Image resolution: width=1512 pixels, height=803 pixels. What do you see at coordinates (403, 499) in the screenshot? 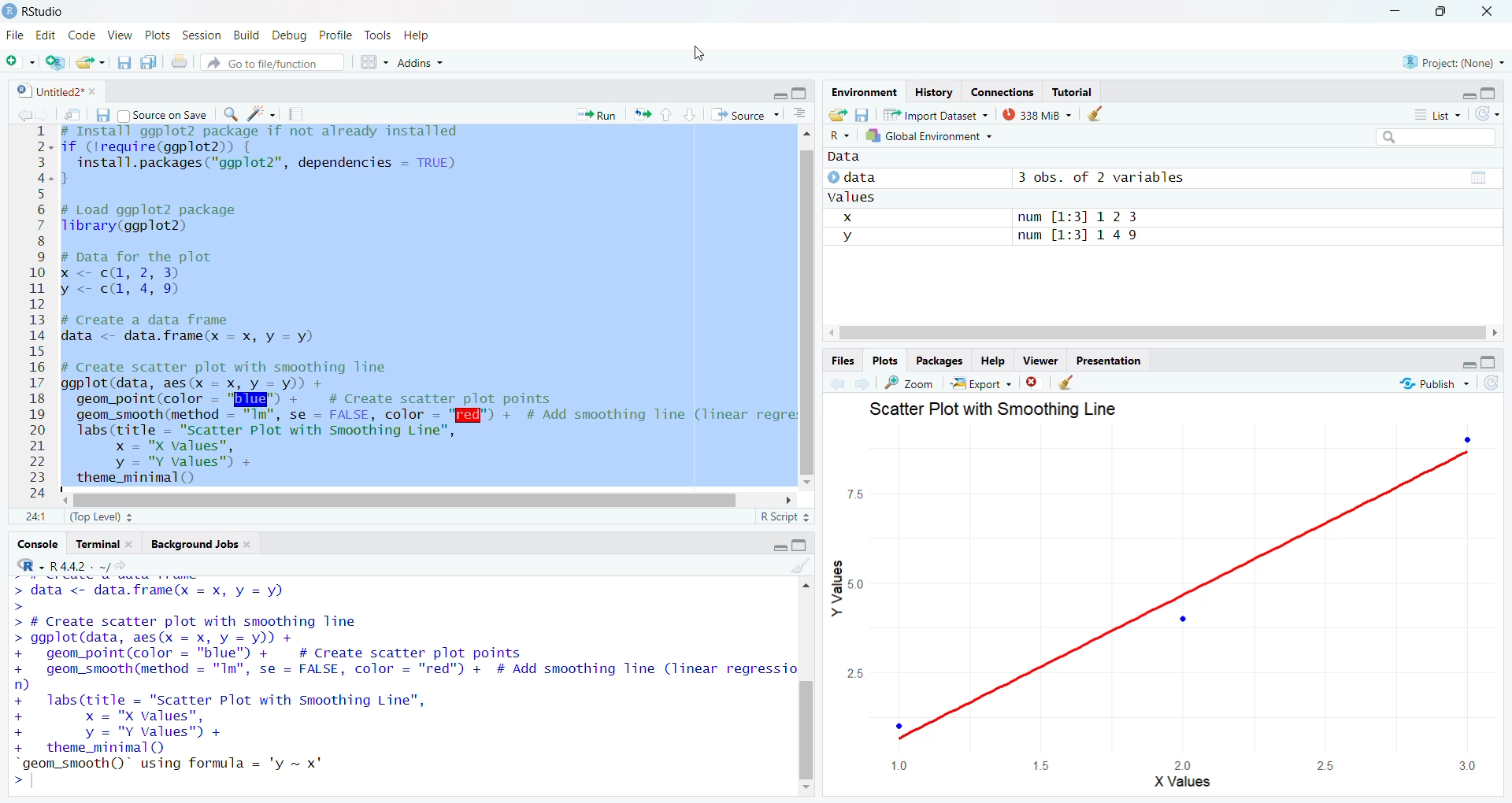
I see `horizontal scroll bar` at bounding box center [403, 499].